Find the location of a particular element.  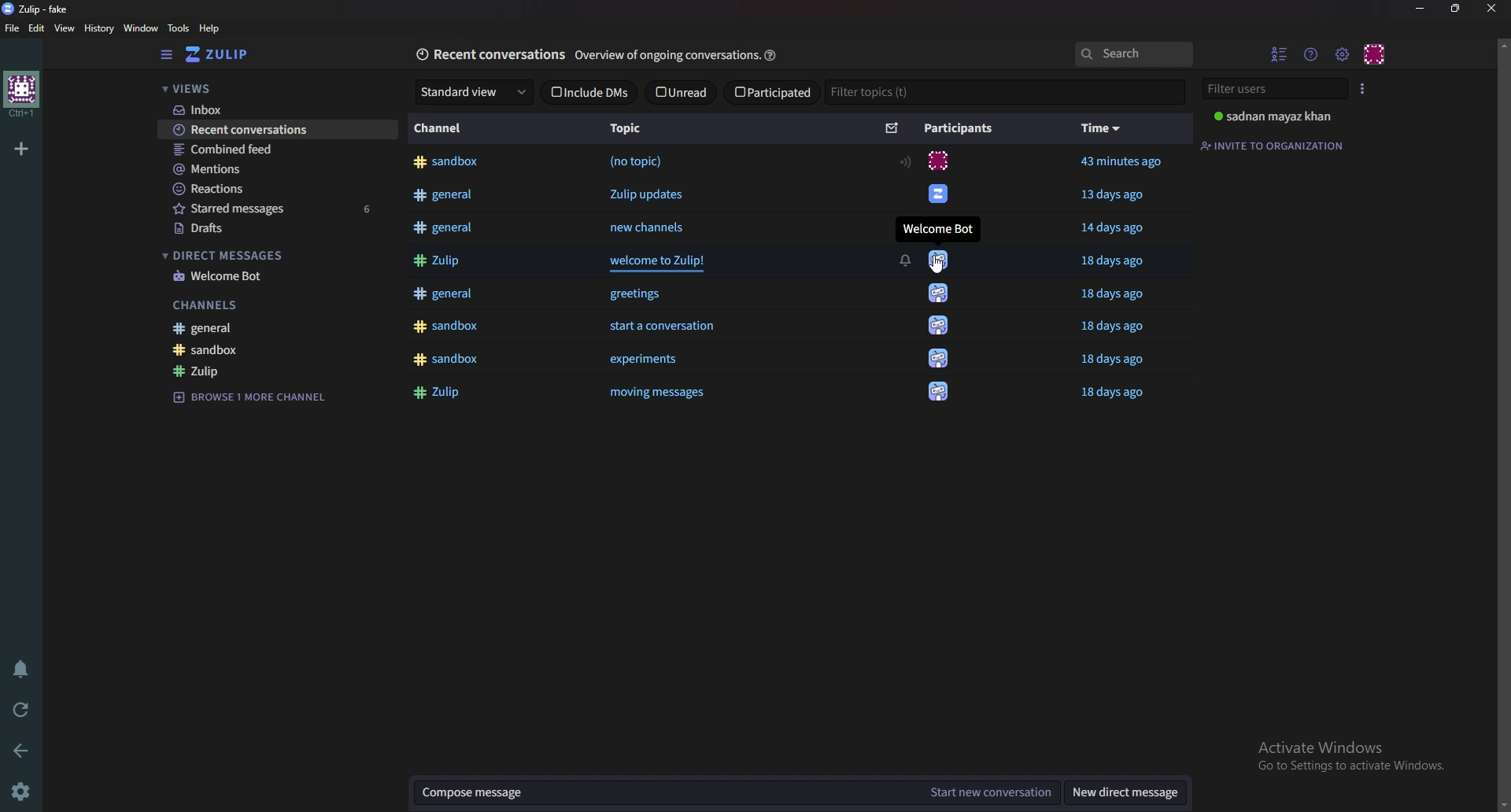

History is located at coordinates (101, 28).